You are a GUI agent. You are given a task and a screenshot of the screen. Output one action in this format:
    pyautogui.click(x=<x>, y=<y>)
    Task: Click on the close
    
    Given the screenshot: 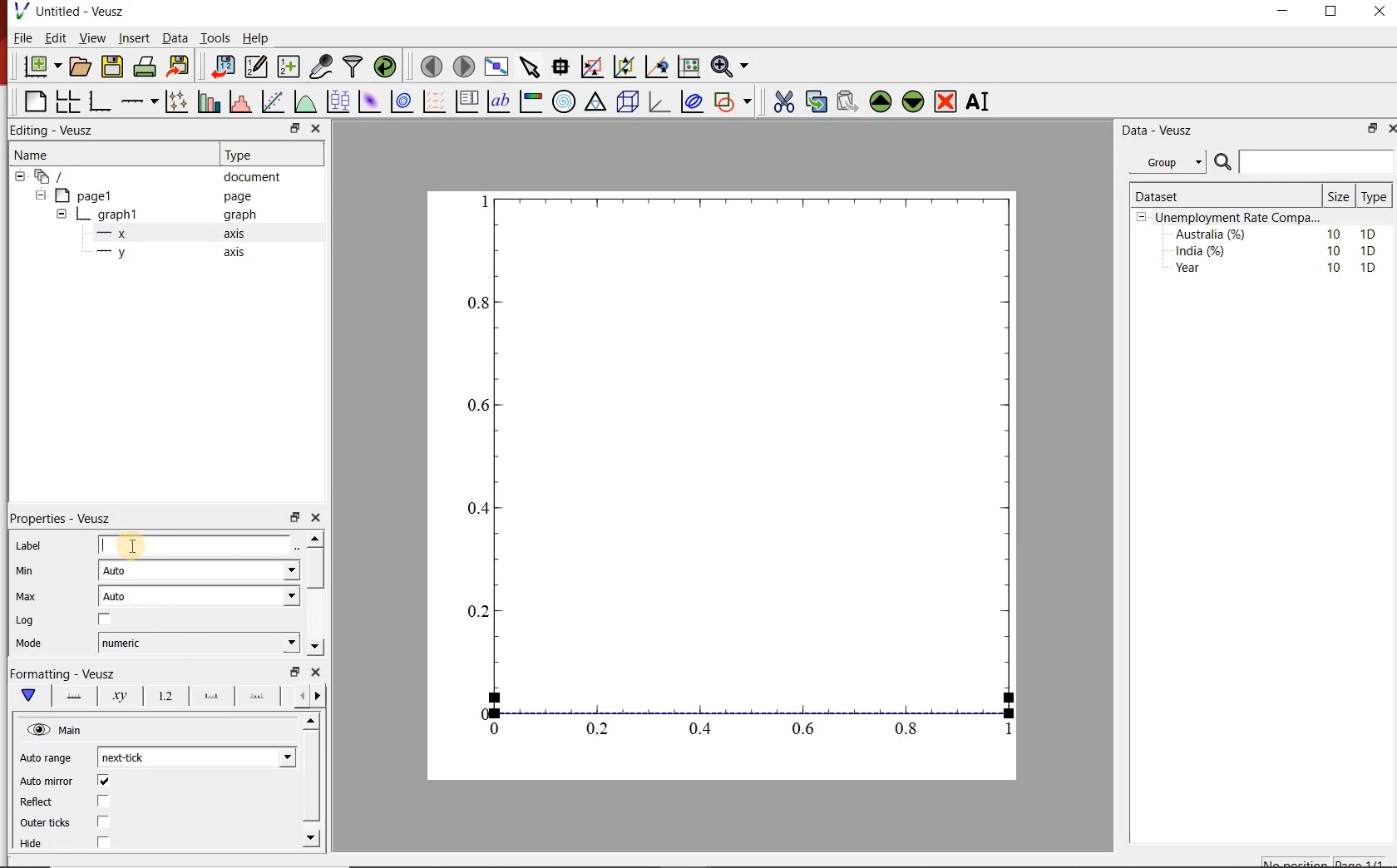 What is the action you would take?
    pyautogui.click(x=1378, y=15)
    